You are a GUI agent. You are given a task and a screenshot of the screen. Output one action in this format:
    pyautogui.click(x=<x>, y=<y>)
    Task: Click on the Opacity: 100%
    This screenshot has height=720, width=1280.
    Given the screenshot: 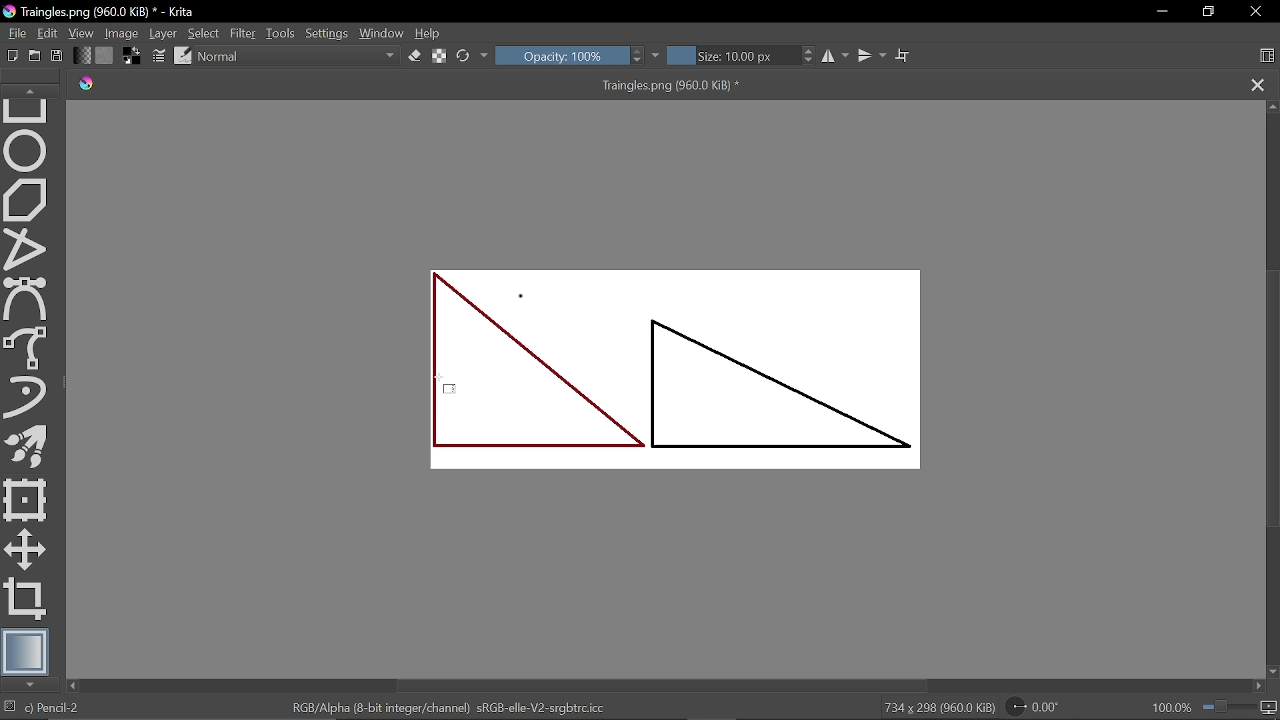 What is the action you would take?
    pyautogui.click(x=561, y=57)
    